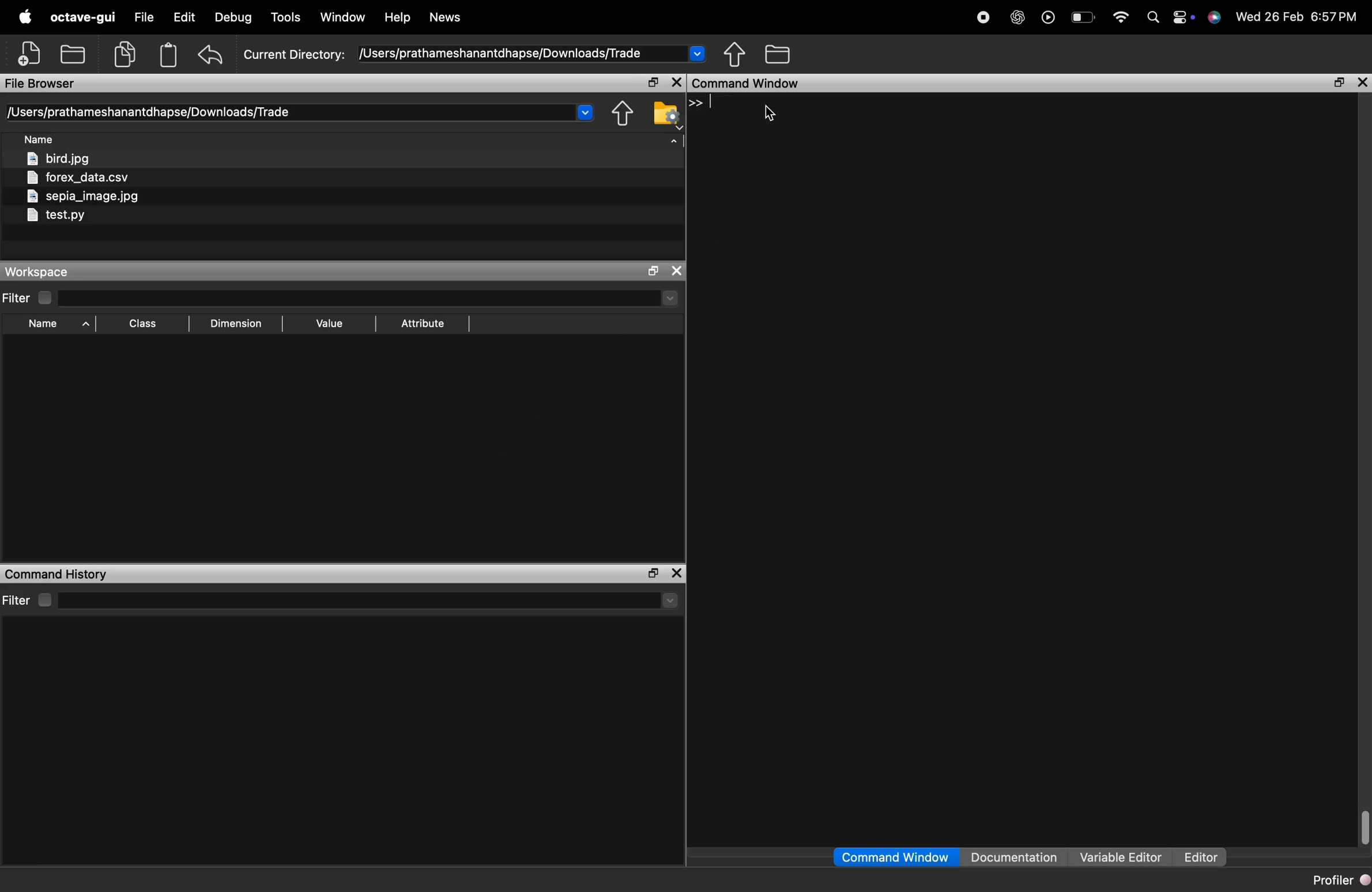 This screenshot has width=1372, height=892. What do you see at coordinates (38, 139) in the screenshot?
I see `sort by file name` at bounding box center [38, 139].